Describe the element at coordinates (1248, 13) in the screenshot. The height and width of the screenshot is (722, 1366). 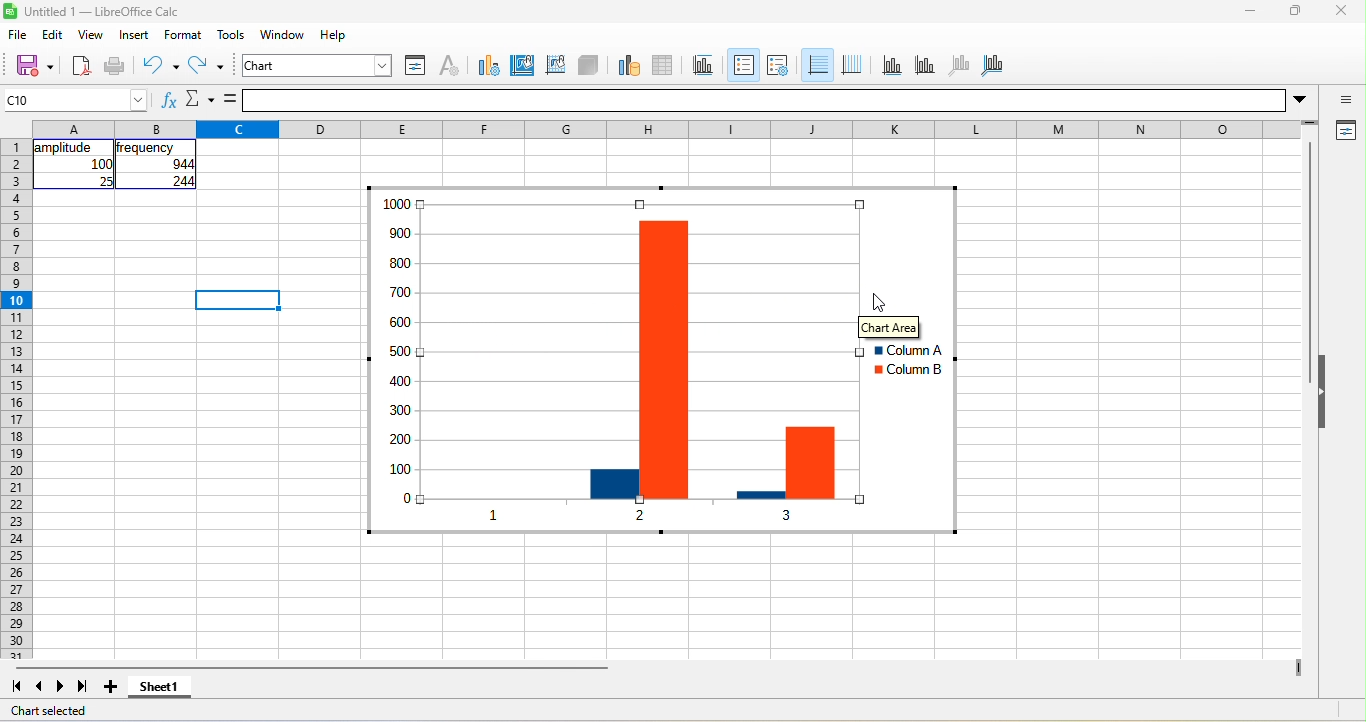
I see `minimize` at that location.